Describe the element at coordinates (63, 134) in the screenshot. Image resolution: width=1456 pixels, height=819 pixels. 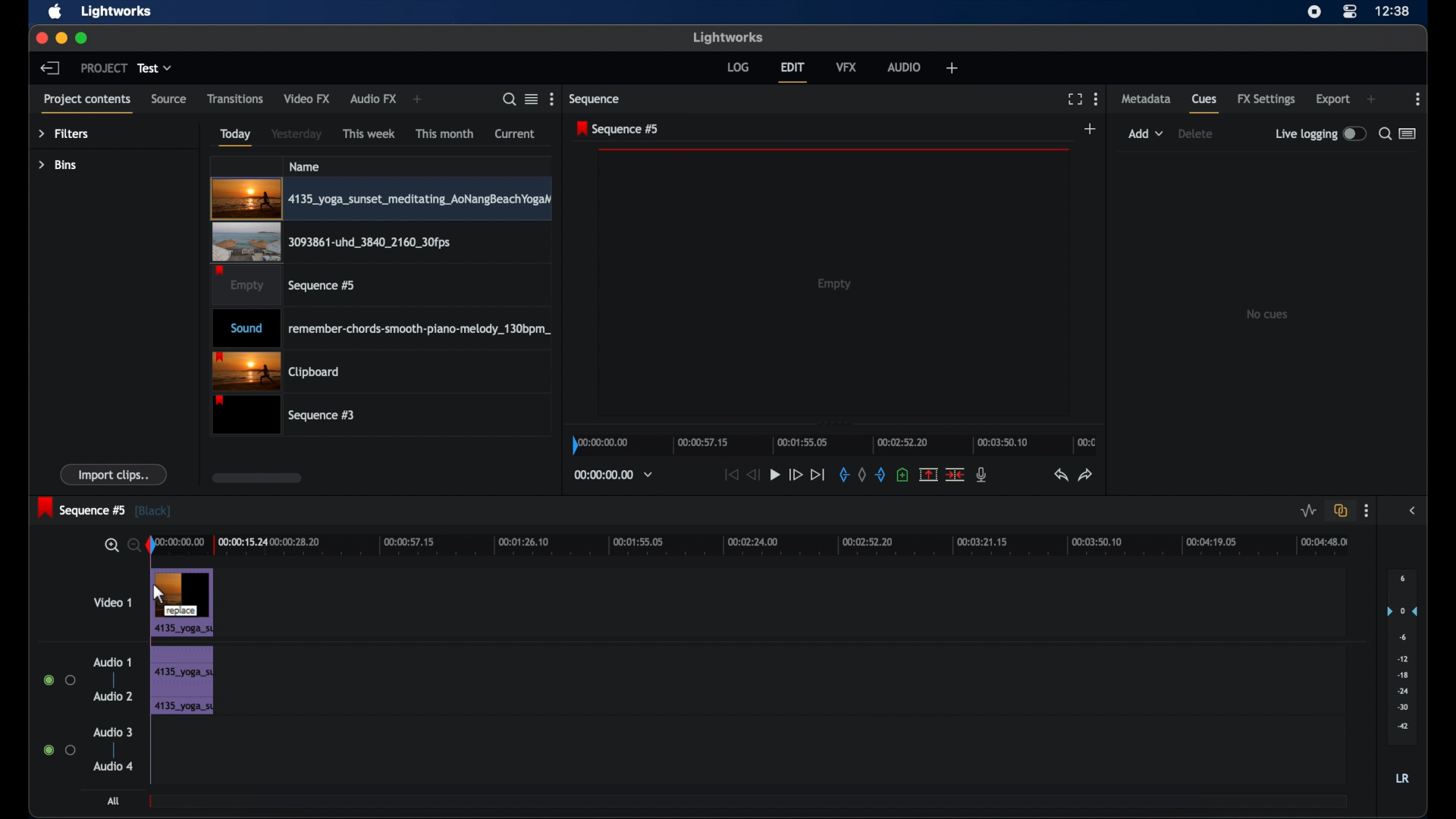
I see `filters` at that location.